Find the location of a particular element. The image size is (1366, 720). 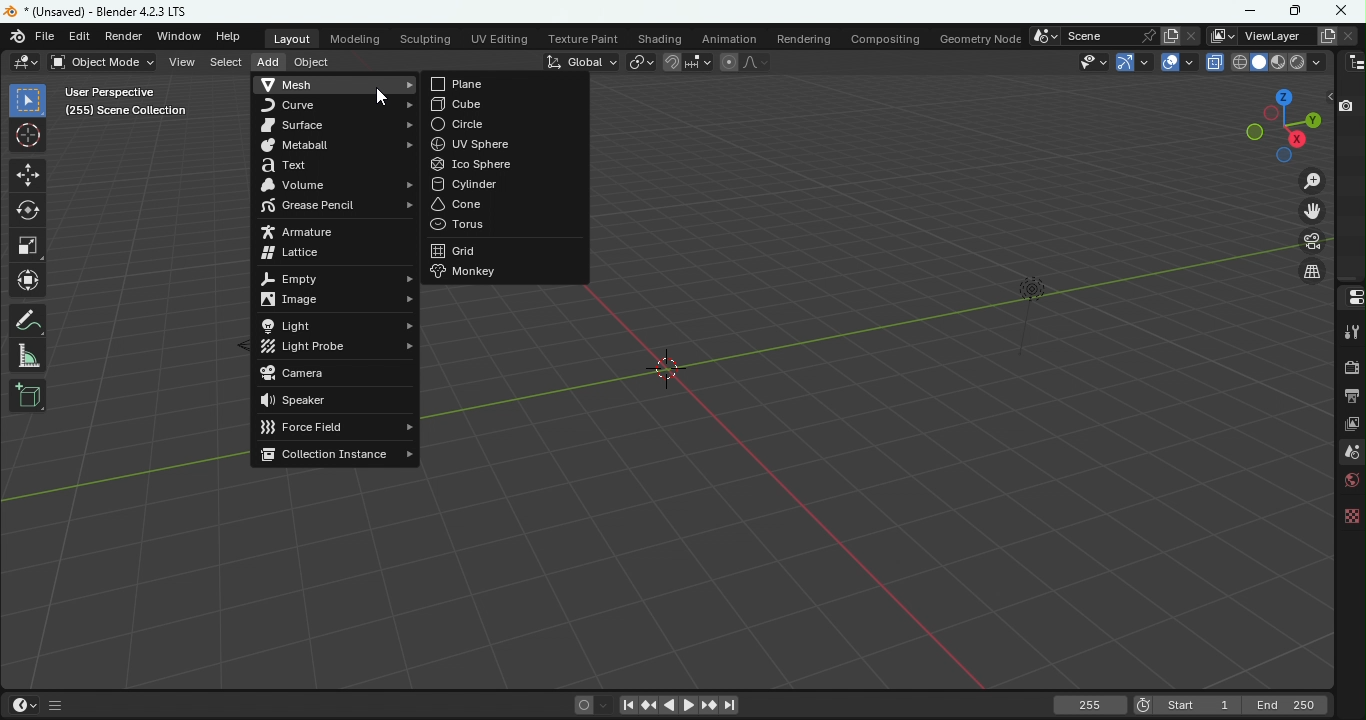

GUI show/hide is located at coordinates (58, 706).